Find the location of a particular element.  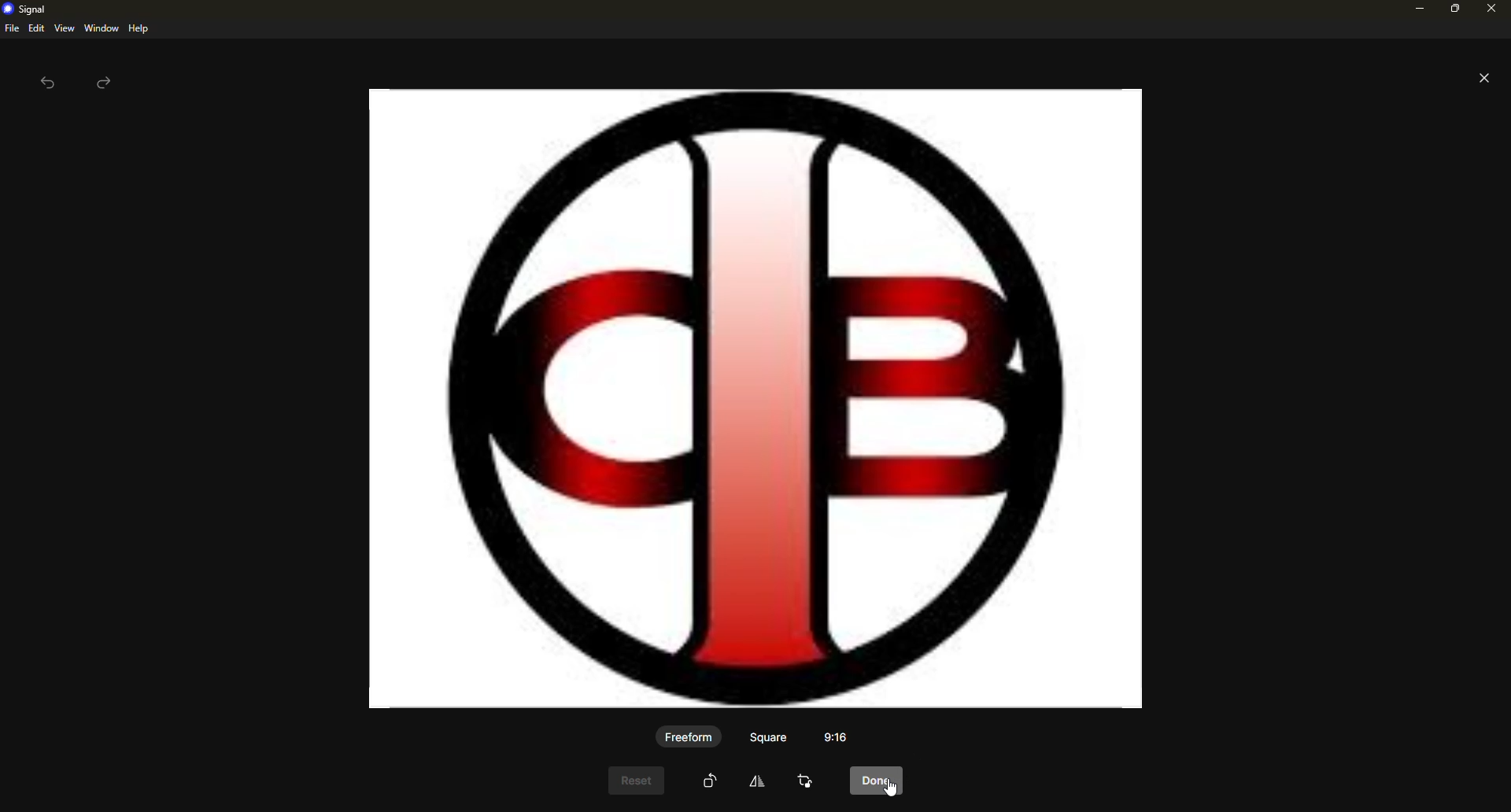

help is located at coordinates (138, 28).